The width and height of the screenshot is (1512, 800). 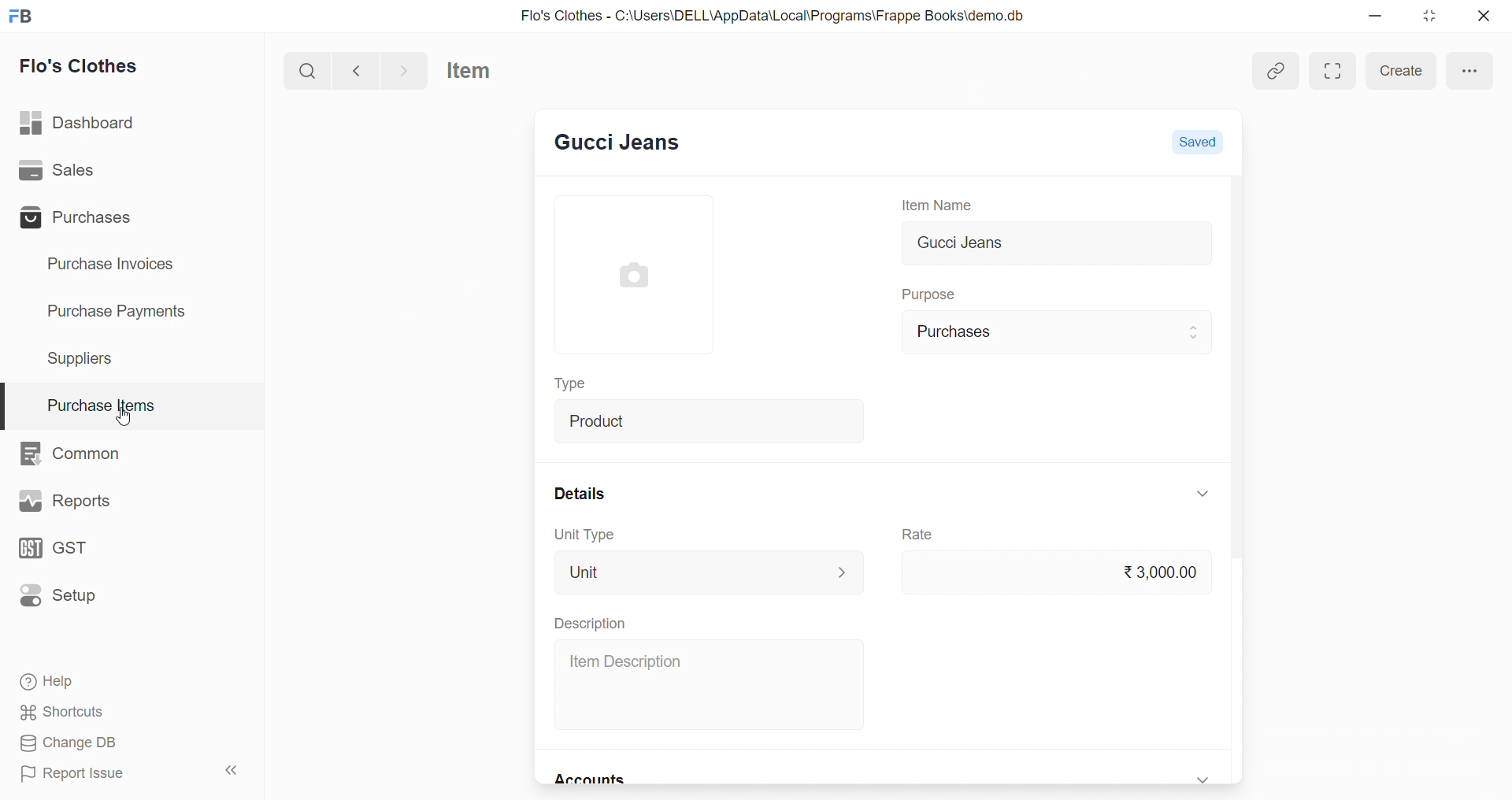 What do you see at coordinates (589, 623) in the screenshot?
I see `Description` at bounding box center [589, 623].